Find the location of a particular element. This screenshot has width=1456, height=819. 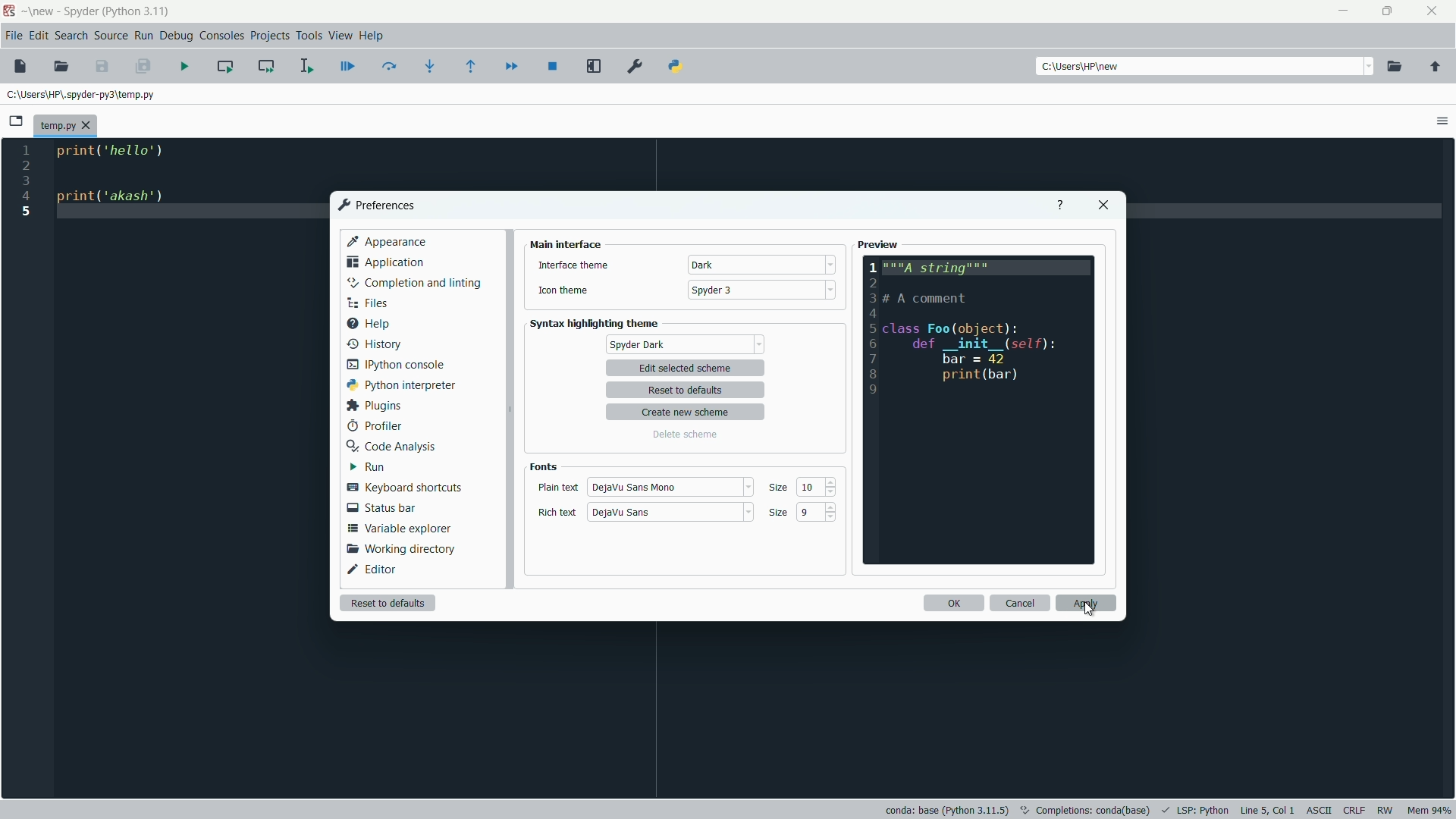

minimize is located at coordinates (1344, 13).